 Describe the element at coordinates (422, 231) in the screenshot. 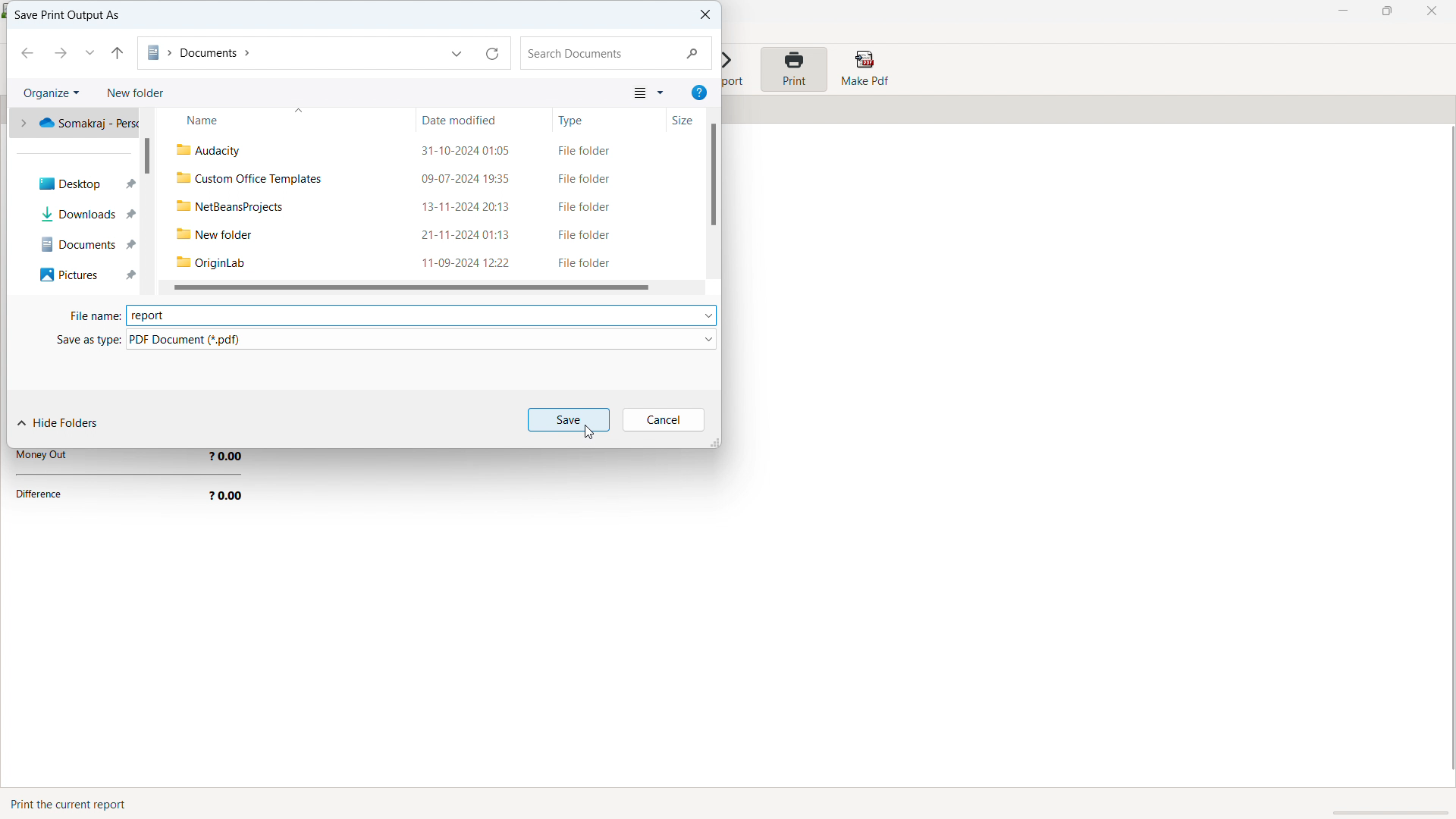

I see `3 New folder 21-11-2024 01:13 File folder` at that location.